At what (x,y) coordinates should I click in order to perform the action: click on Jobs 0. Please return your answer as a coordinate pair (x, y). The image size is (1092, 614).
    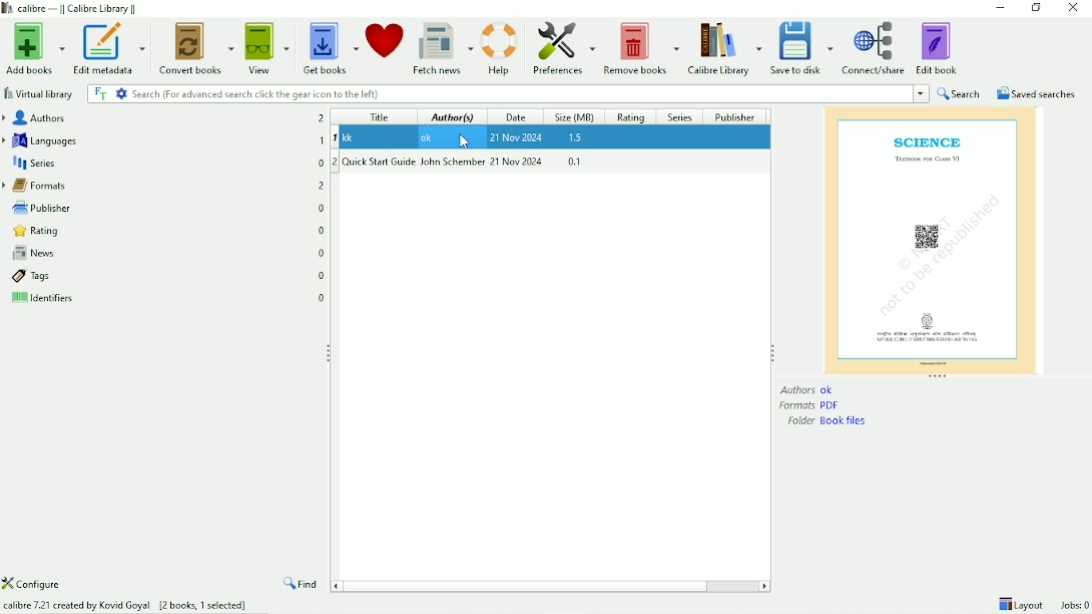
    Looking at the image, I should click on (1071, 606).